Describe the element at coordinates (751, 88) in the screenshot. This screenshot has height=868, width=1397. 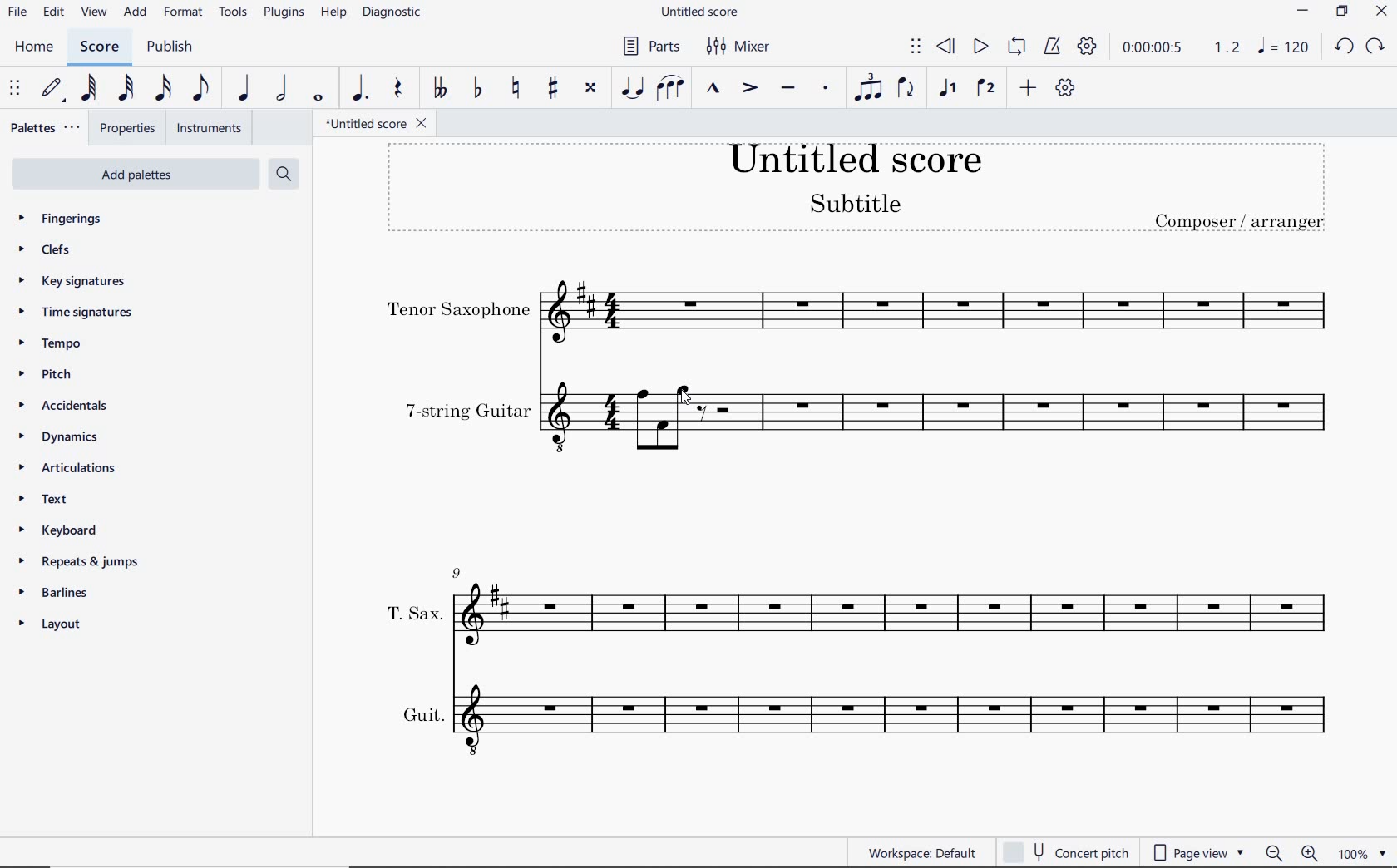
I see `ACCENT` at that location.